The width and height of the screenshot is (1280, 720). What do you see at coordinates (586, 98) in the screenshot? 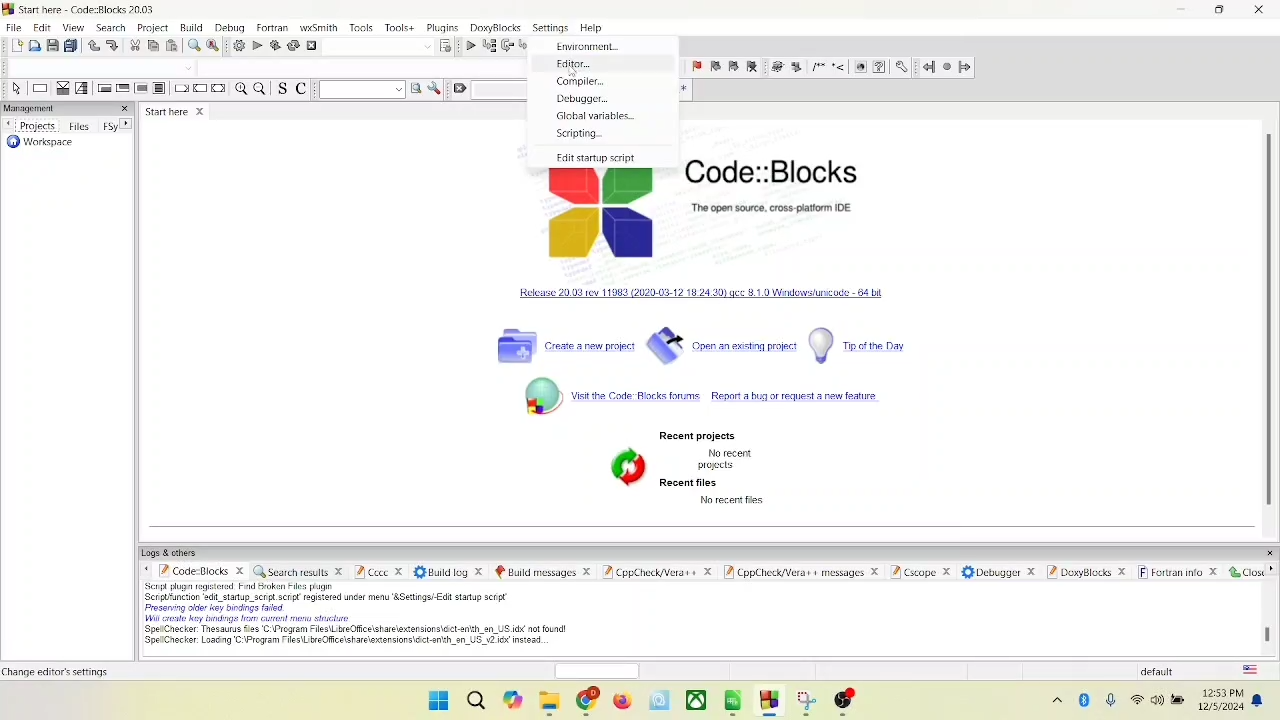
I see `debugger` at bounding box center [586, 98].